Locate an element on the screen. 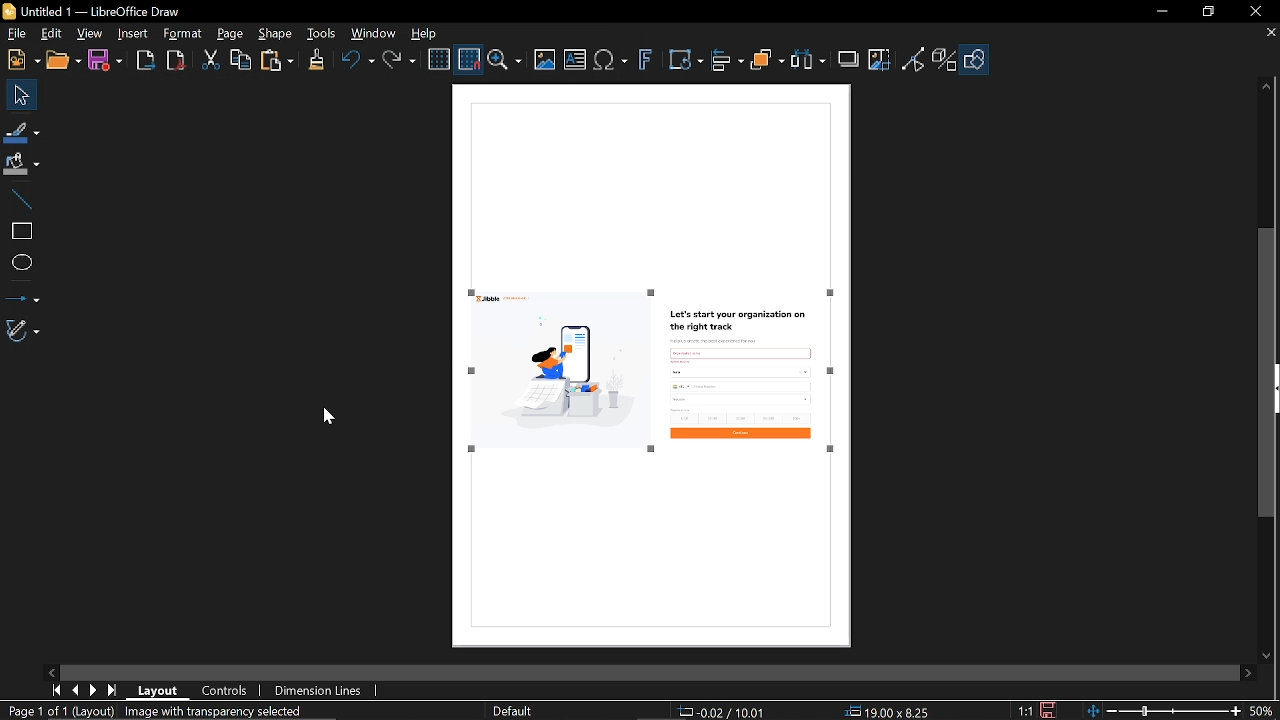 This screenshot has height=720, width=1280. First page is located at coordinates (54, 690).